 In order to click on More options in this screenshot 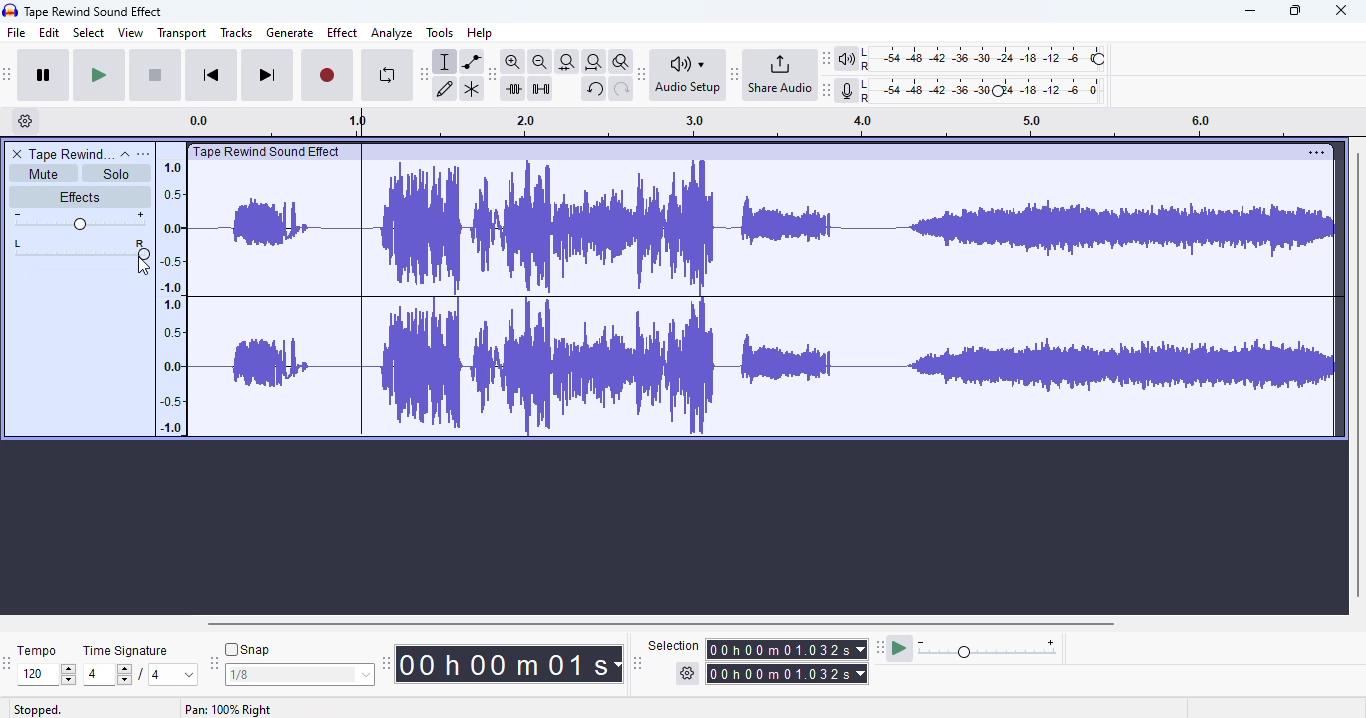, I will do `click(1313, 152)`.